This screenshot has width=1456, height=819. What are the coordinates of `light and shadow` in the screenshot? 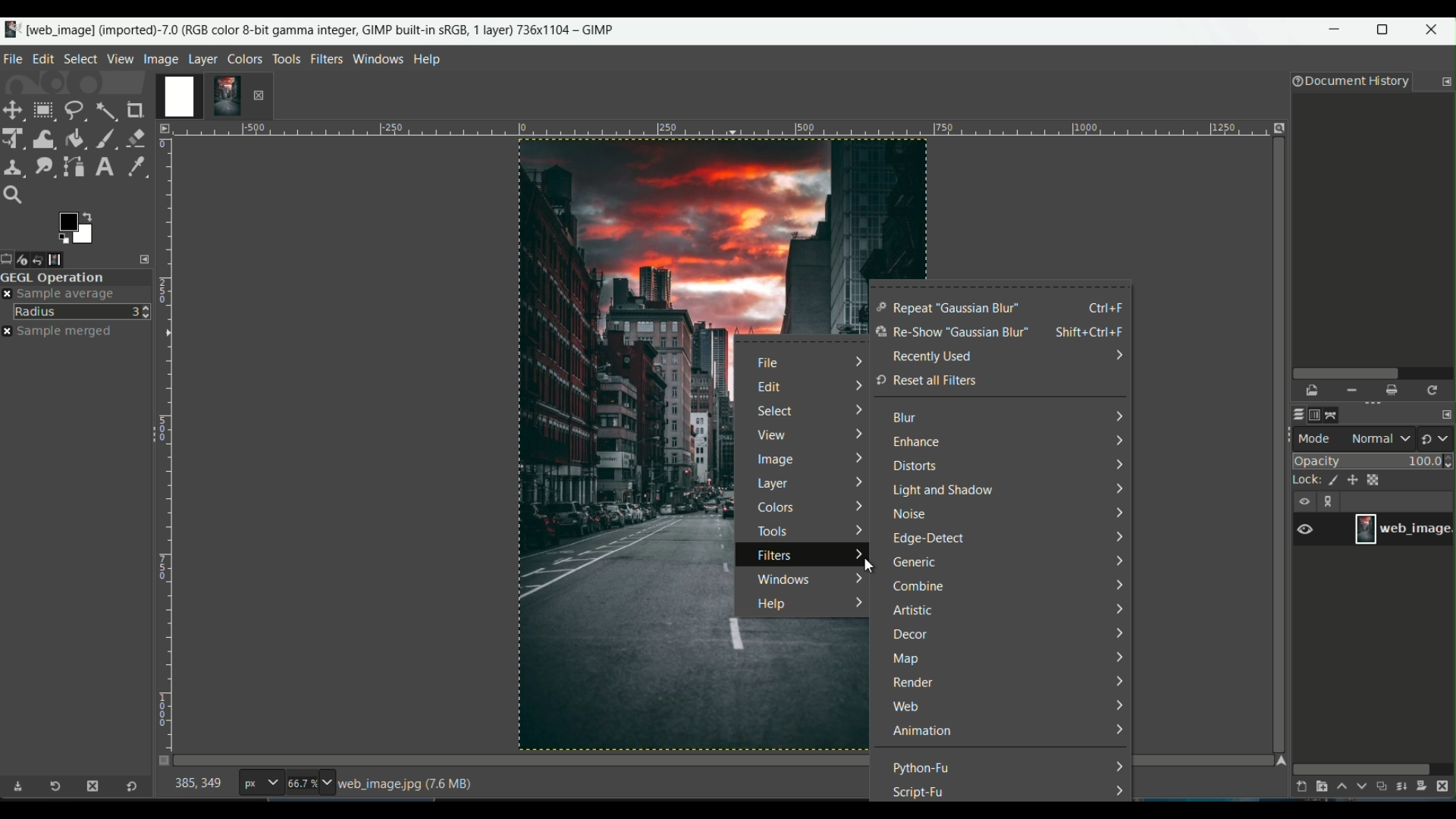 It's located at (943, 491).